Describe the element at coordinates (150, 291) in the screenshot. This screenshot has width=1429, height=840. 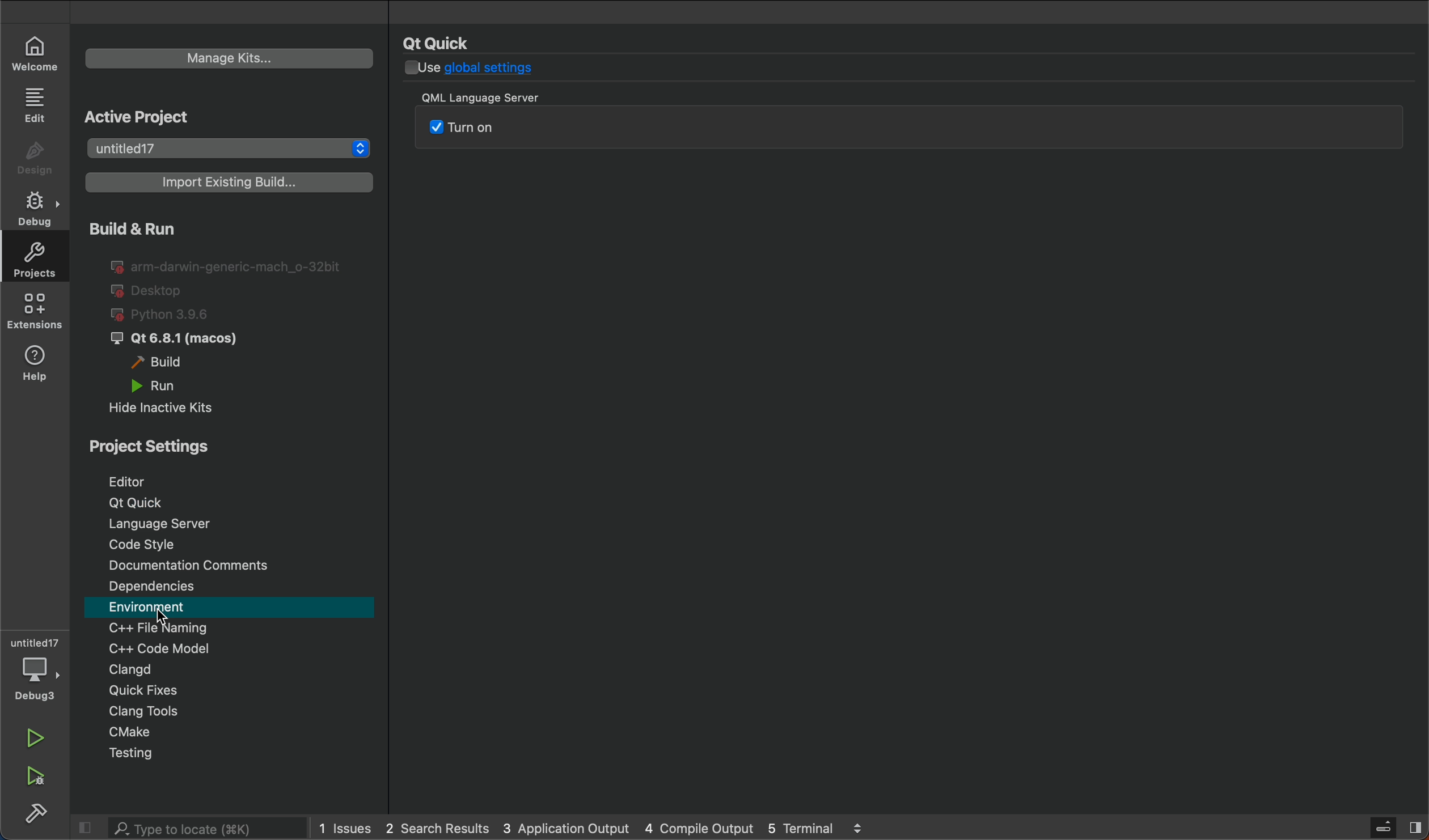
I see `desktop` at that location.